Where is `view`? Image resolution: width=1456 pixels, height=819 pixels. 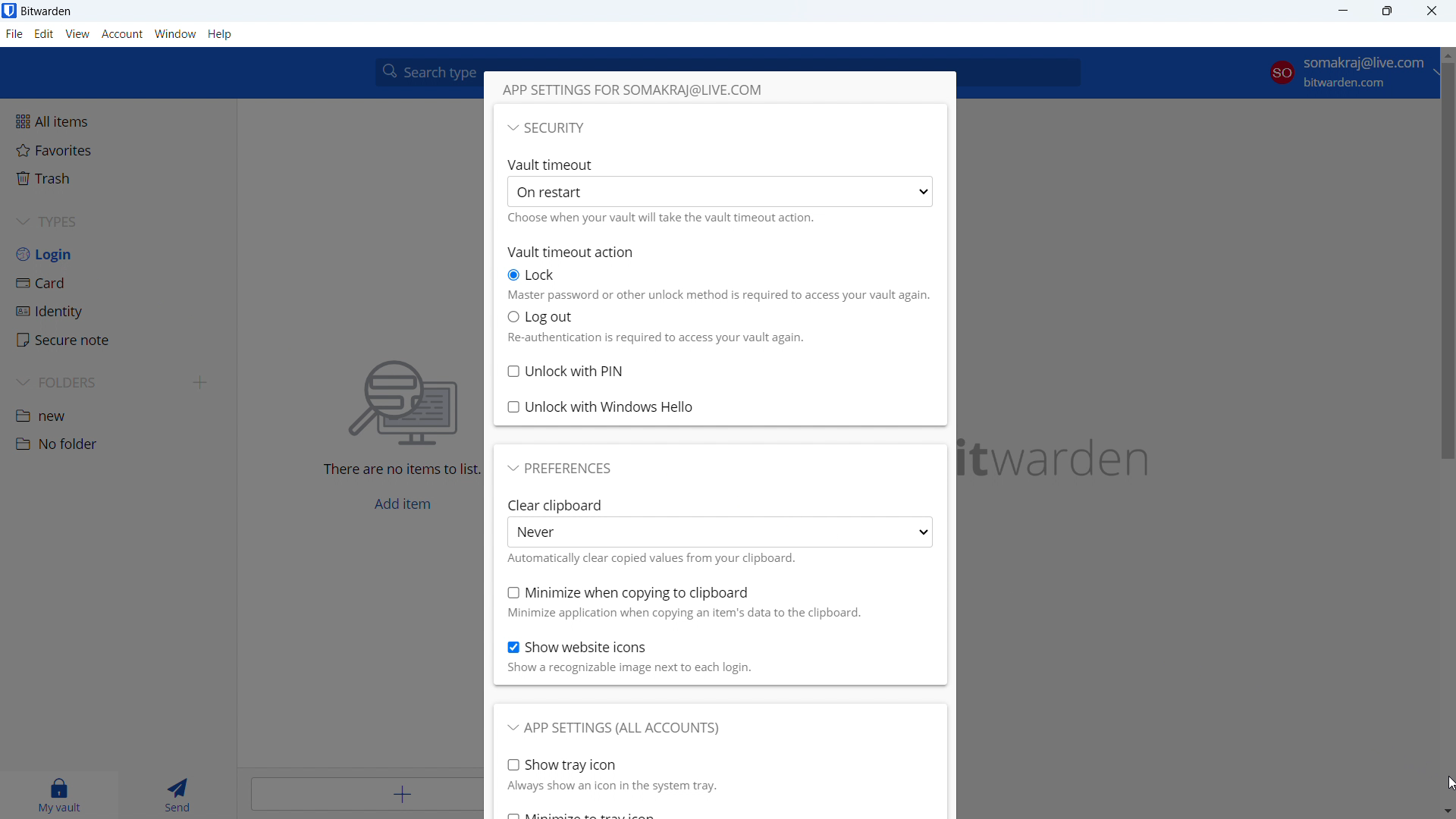 view is located at coordinates (77, 34).